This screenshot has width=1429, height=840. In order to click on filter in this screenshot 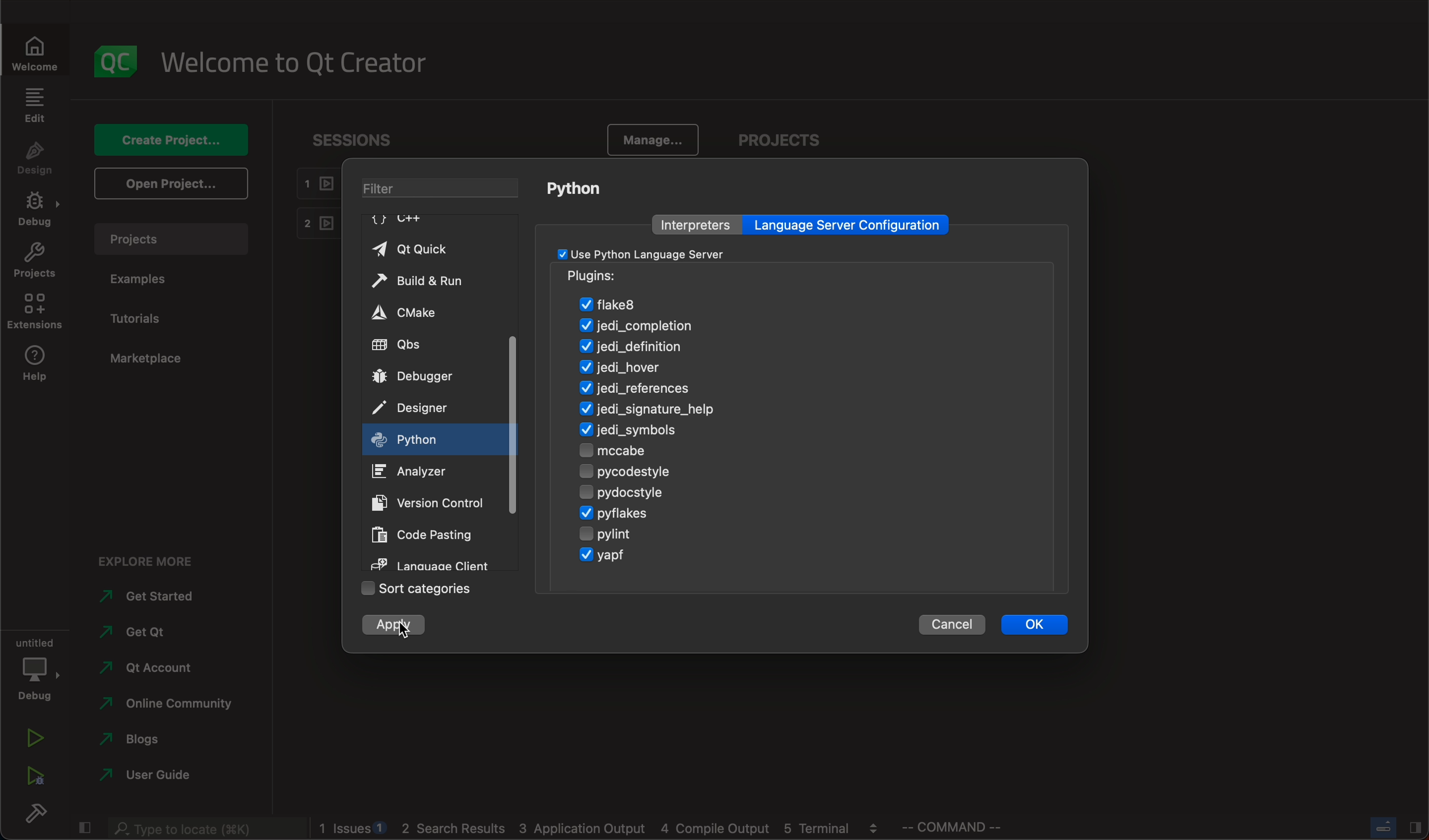, I will do `click(443, 188)`.